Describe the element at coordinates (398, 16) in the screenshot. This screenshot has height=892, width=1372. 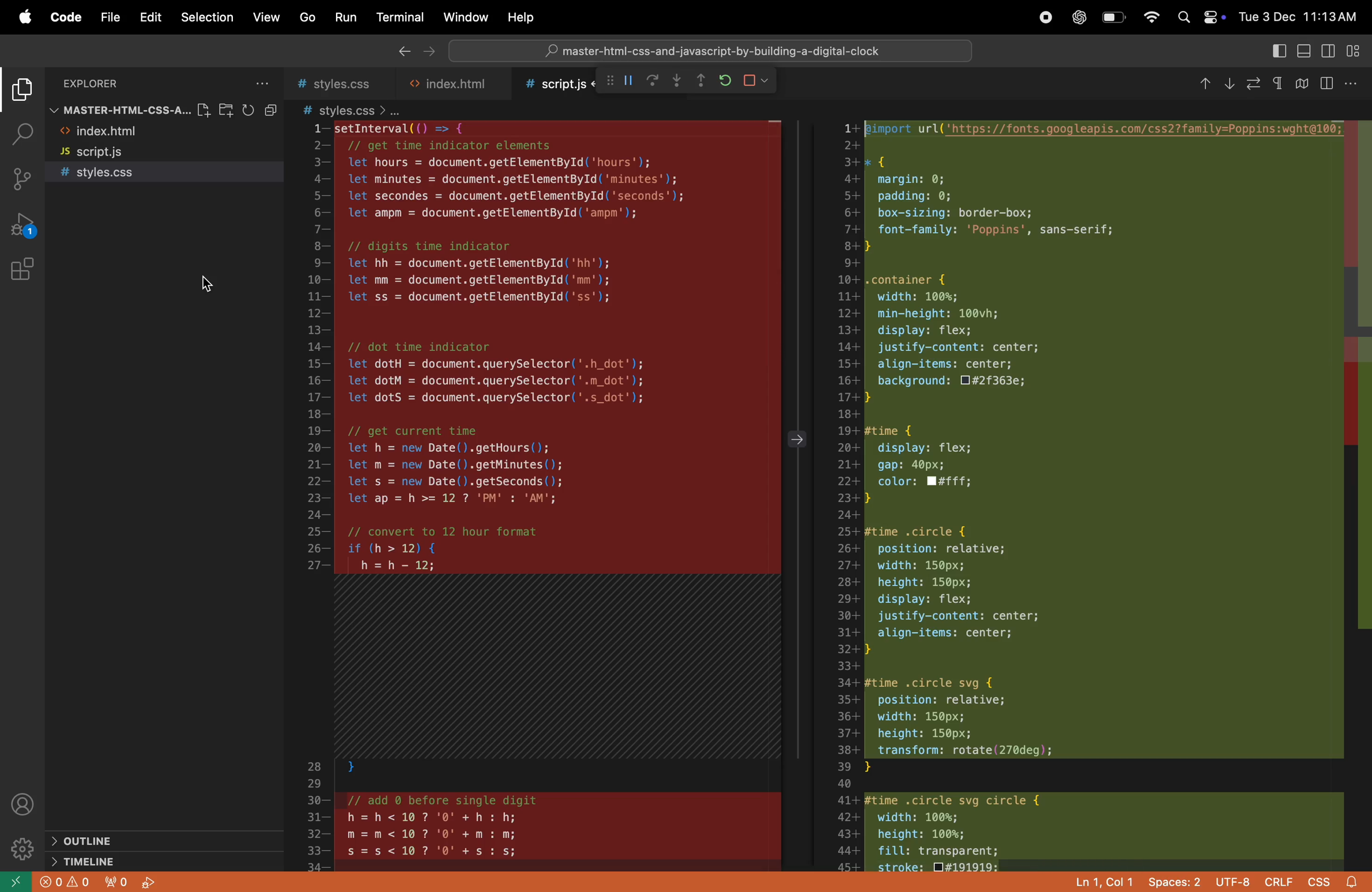
I see `terminal` at that location.